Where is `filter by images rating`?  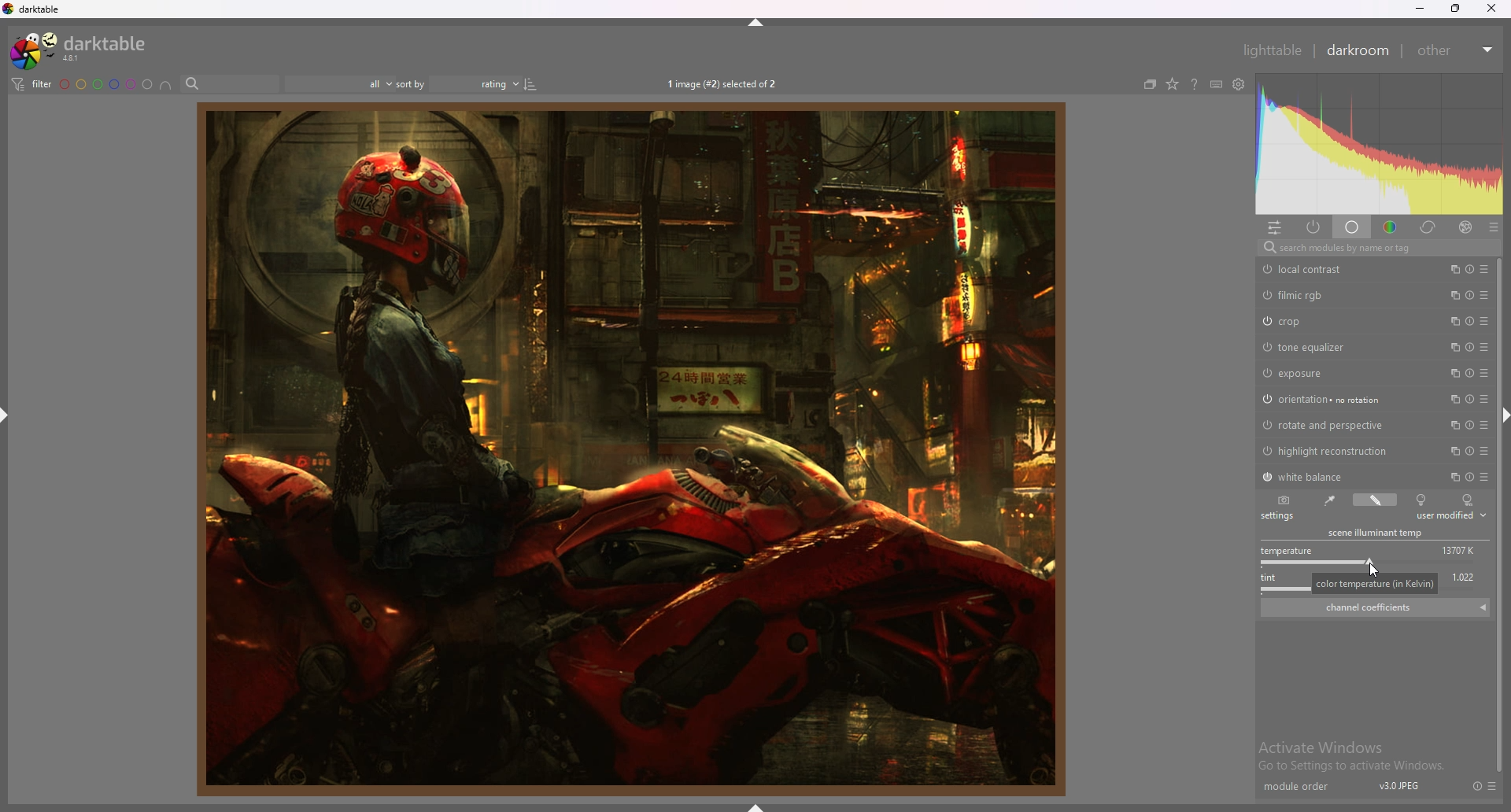
filter by images rating is located at coordinates (339, 83).